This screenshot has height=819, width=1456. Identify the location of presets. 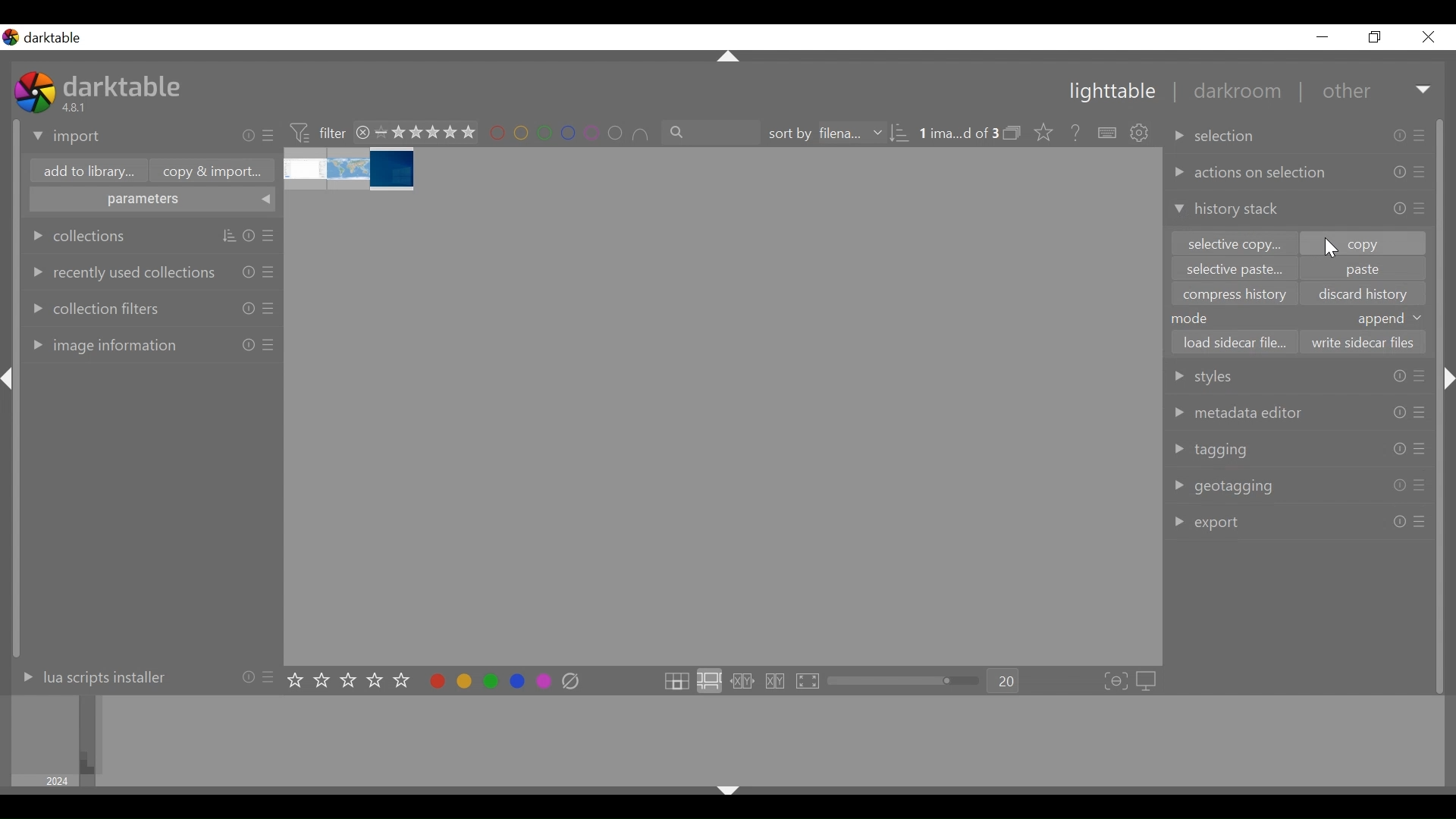
(1419, 413).